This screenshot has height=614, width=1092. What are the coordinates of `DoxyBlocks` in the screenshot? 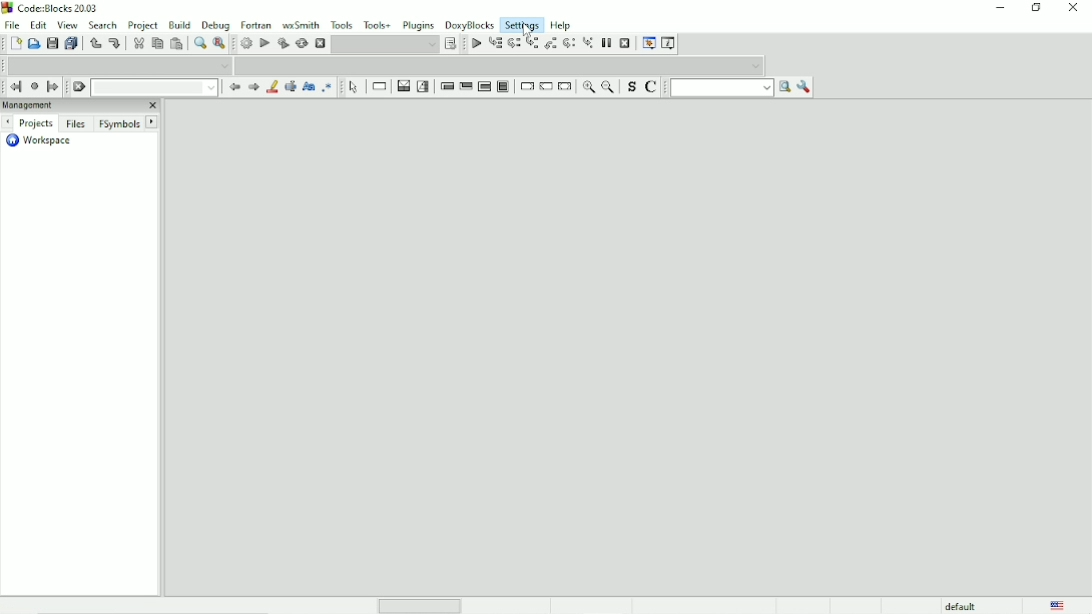 It's located at (470, 25).